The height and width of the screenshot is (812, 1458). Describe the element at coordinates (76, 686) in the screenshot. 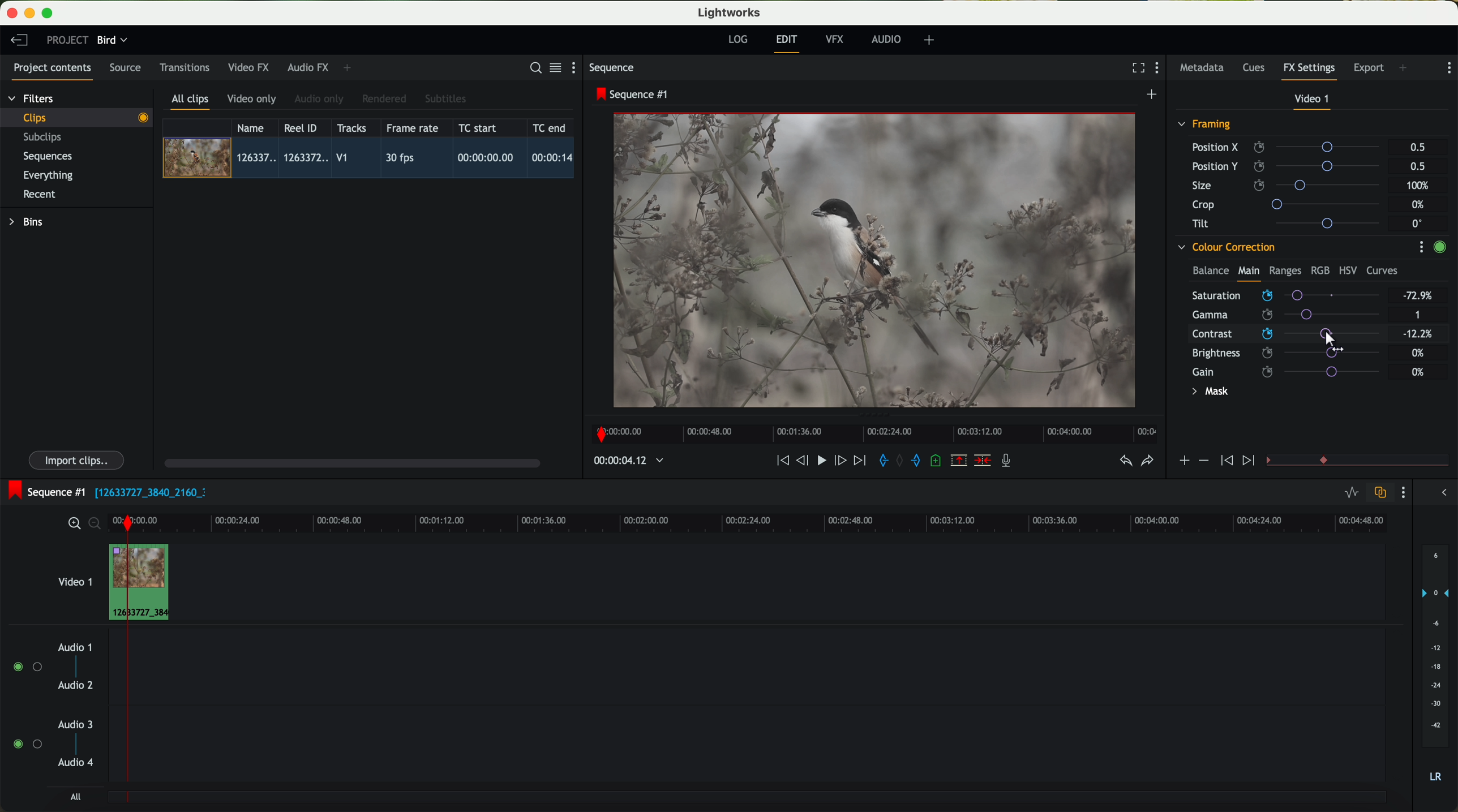

I see `audio 2` at that location.